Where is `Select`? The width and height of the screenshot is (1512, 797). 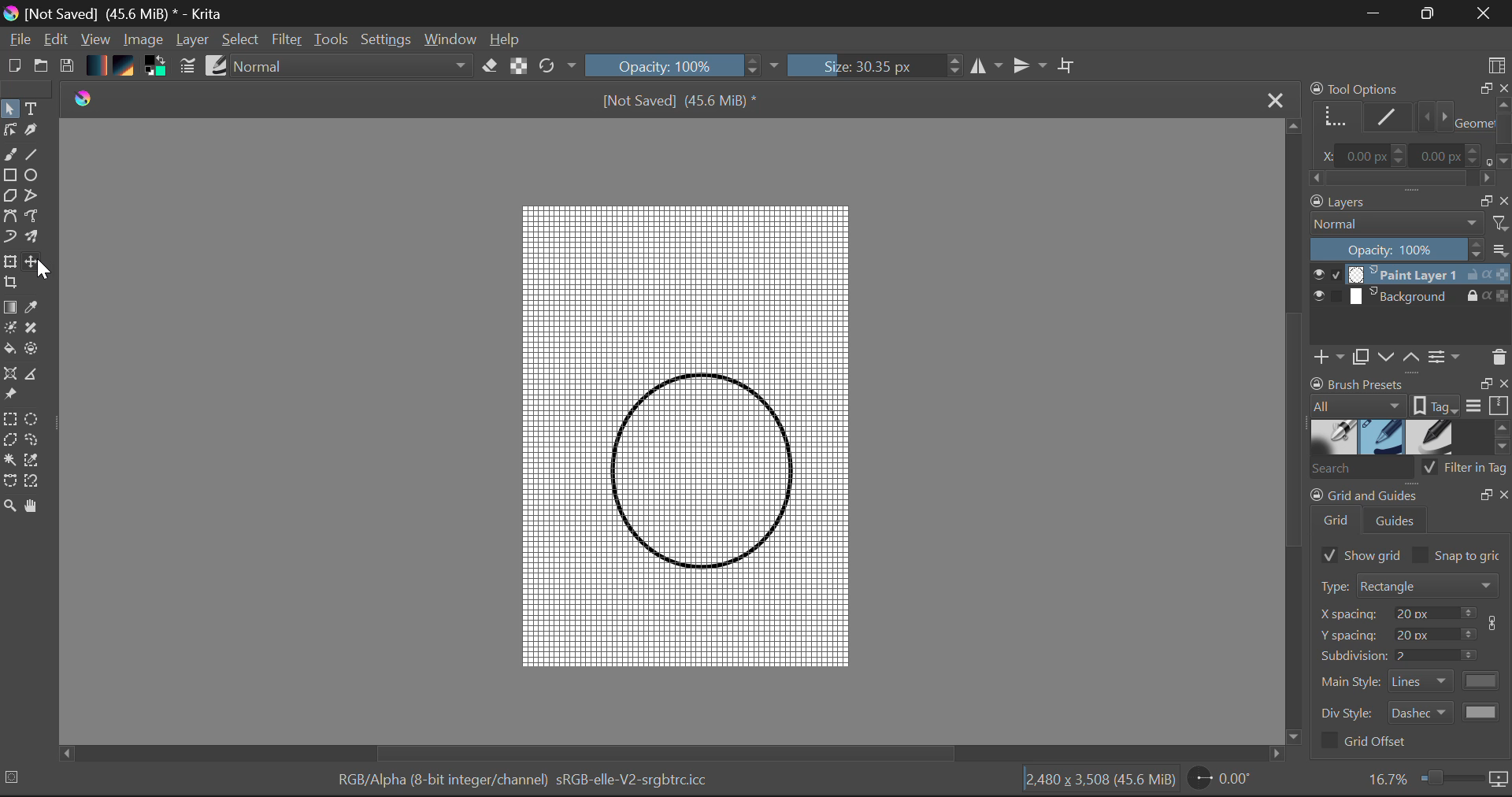 Select is located at coordinates (10, 109).